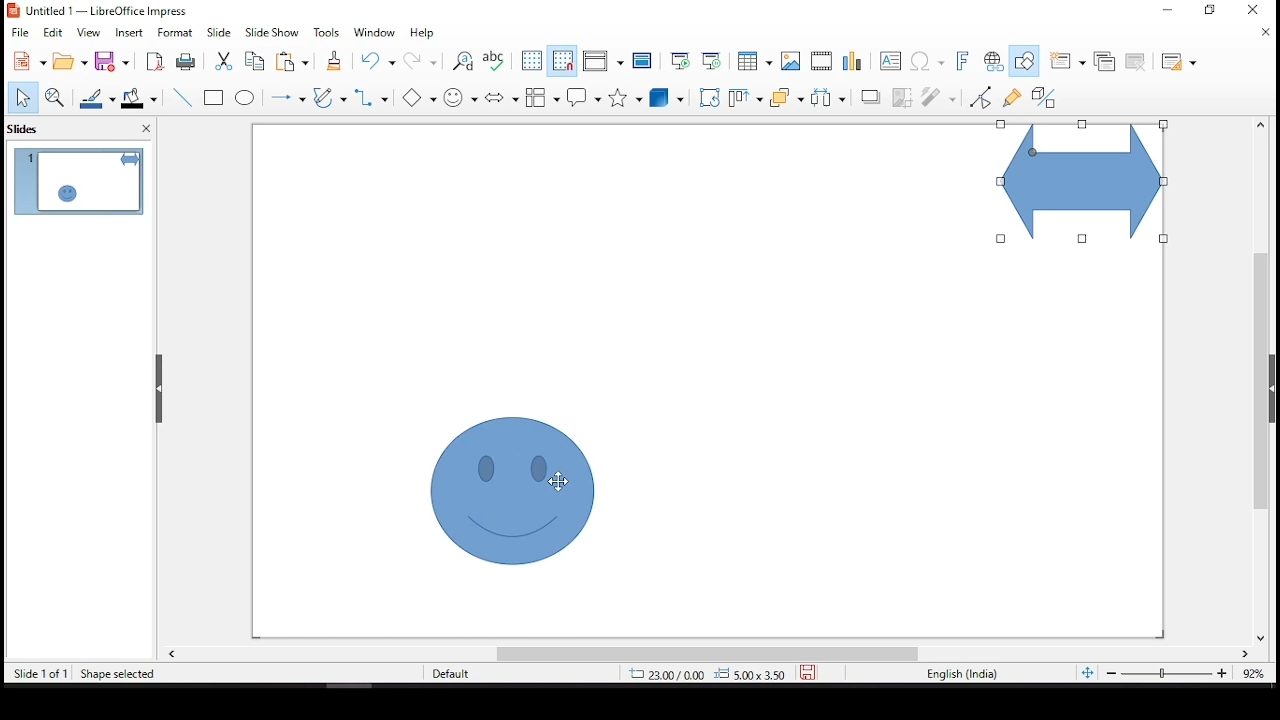 This screenshot has width=1280, height=720. Describe the element at coordinates (585, 98) in the screenshot. I see `callout shapes` at that location.